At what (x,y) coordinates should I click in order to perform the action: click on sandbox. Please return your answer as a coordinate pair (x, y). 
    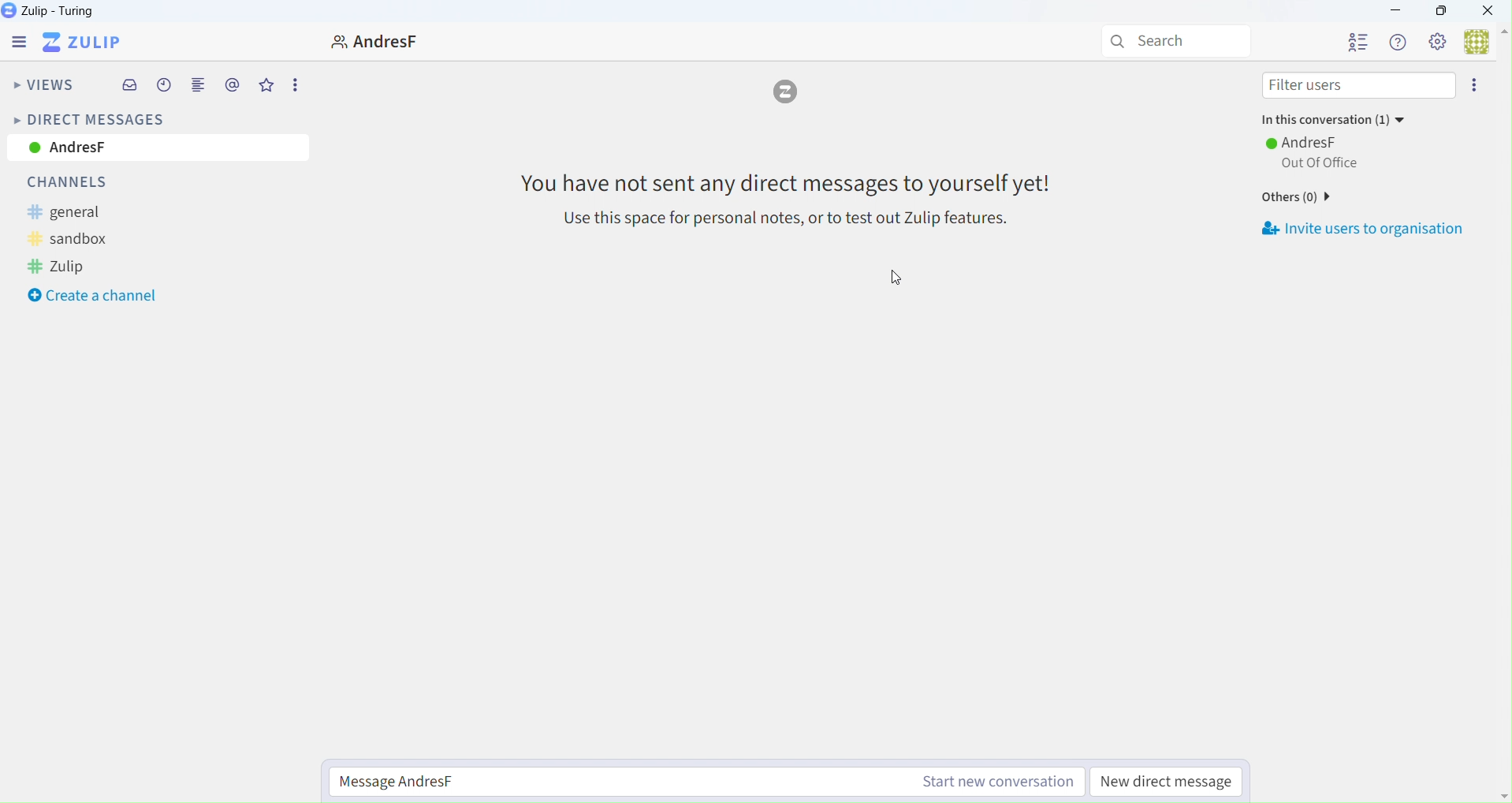
    Looking at the image, I should click on (82, 239).